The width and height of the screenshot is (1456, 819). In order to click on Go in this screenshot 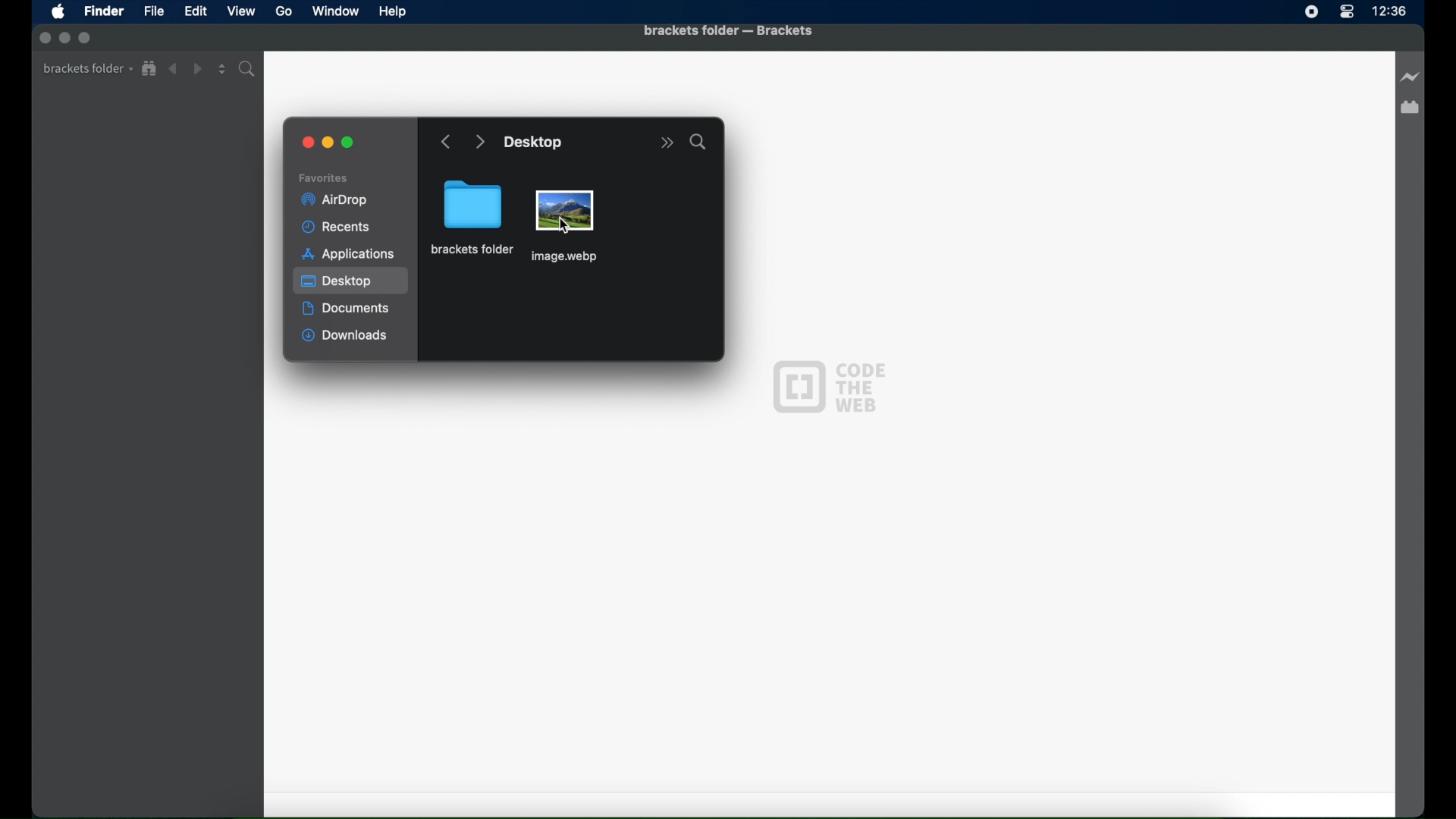, I will do `click(284, 11)`.